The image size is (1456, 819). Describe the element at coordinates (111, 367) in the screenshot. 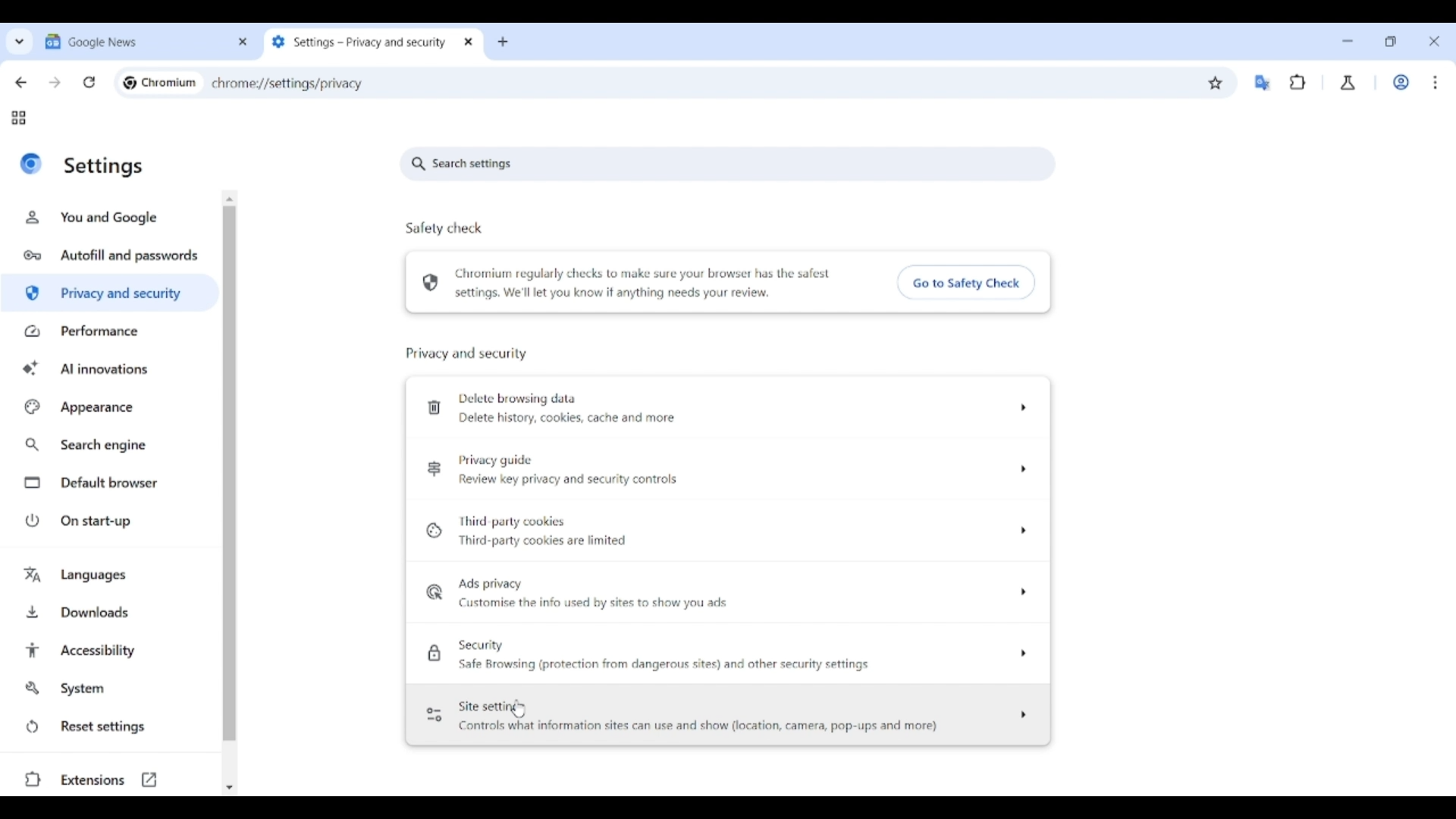

I see `AI innovations` at that location.